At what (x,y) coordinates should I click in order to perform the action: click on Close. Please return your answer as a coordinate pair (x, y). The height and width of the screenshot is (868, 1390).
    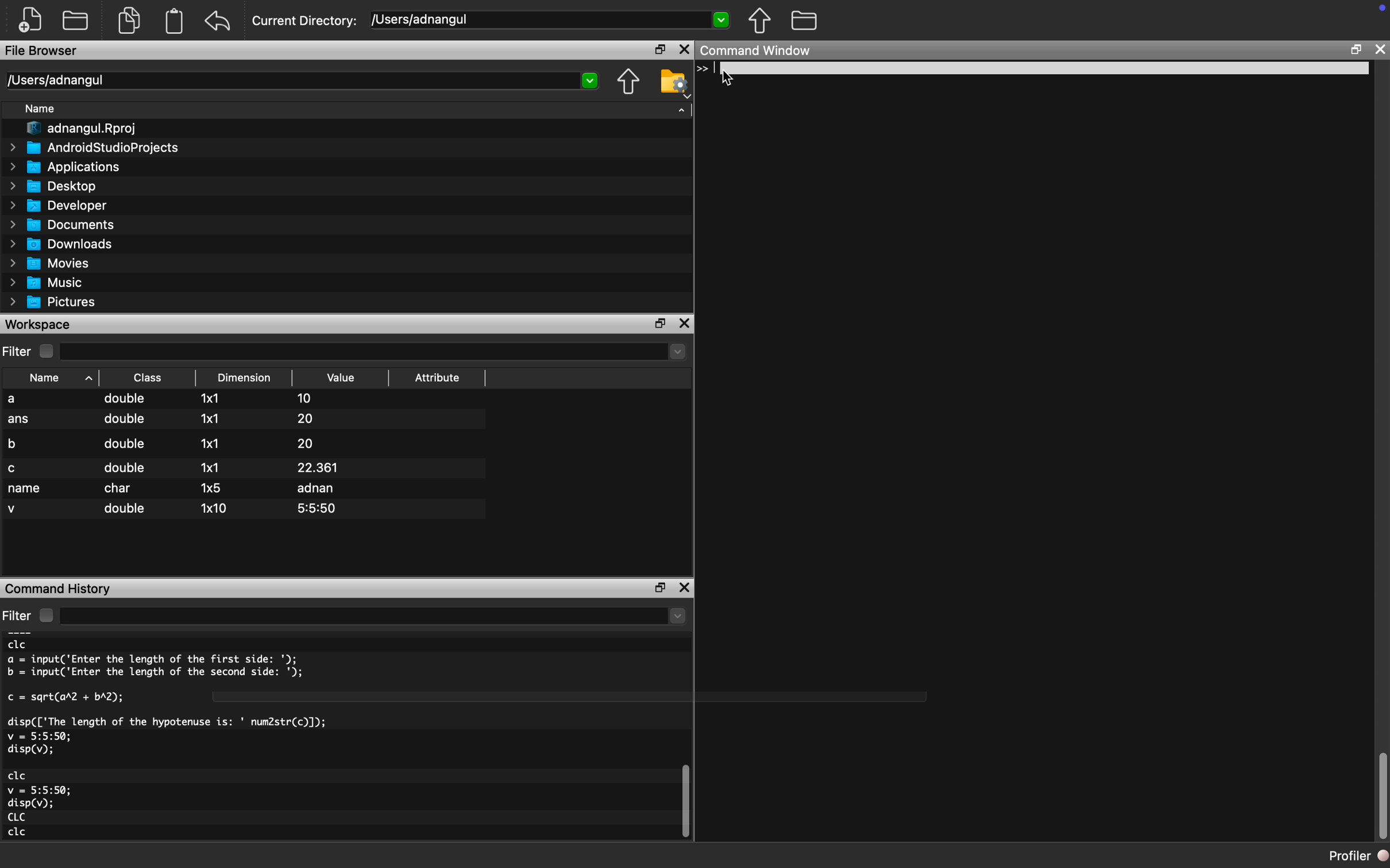
    Looking at the image, I should click on (685, 49).